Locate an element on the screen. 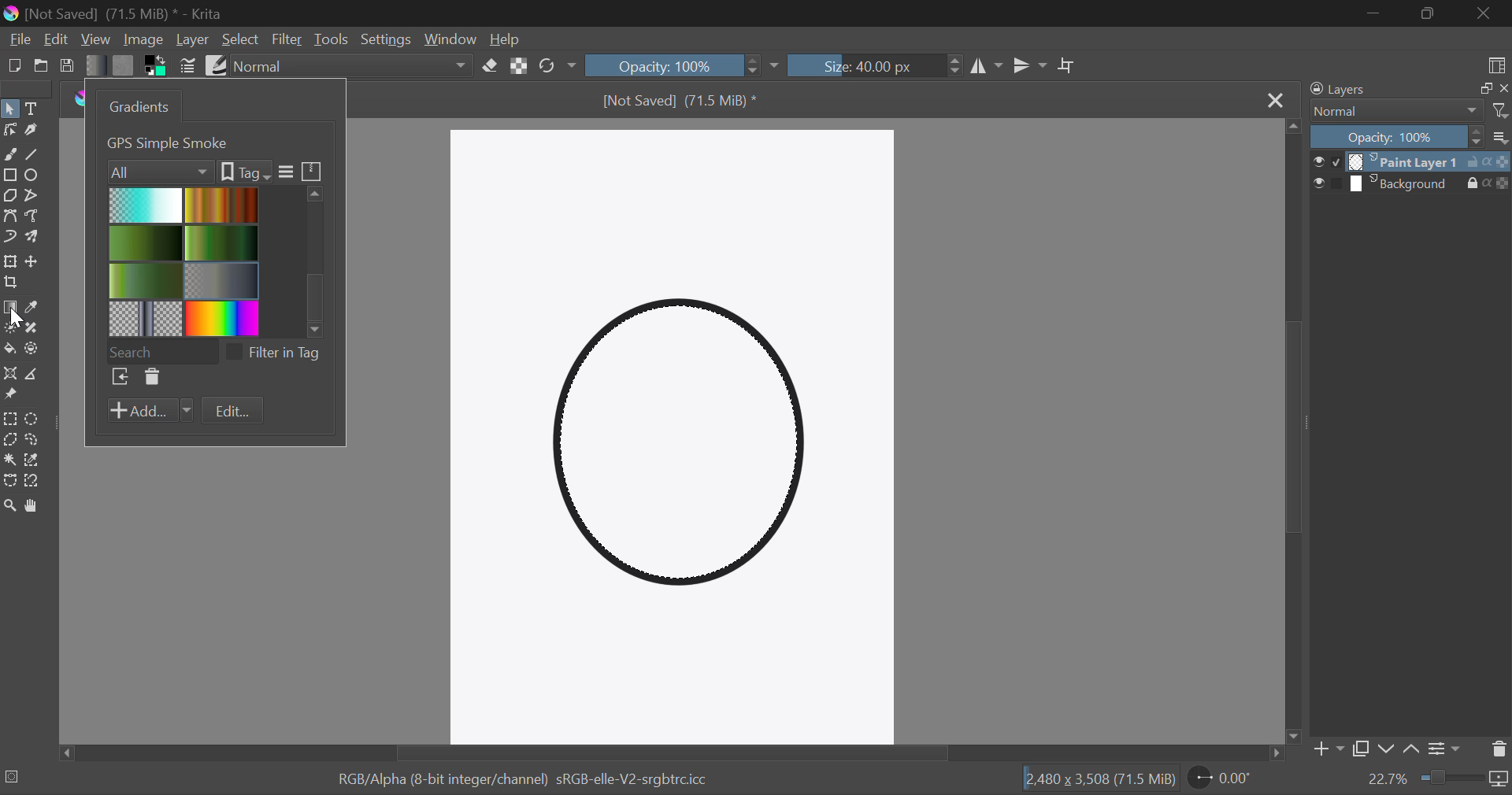  logo is located at coordinates (14, 15).